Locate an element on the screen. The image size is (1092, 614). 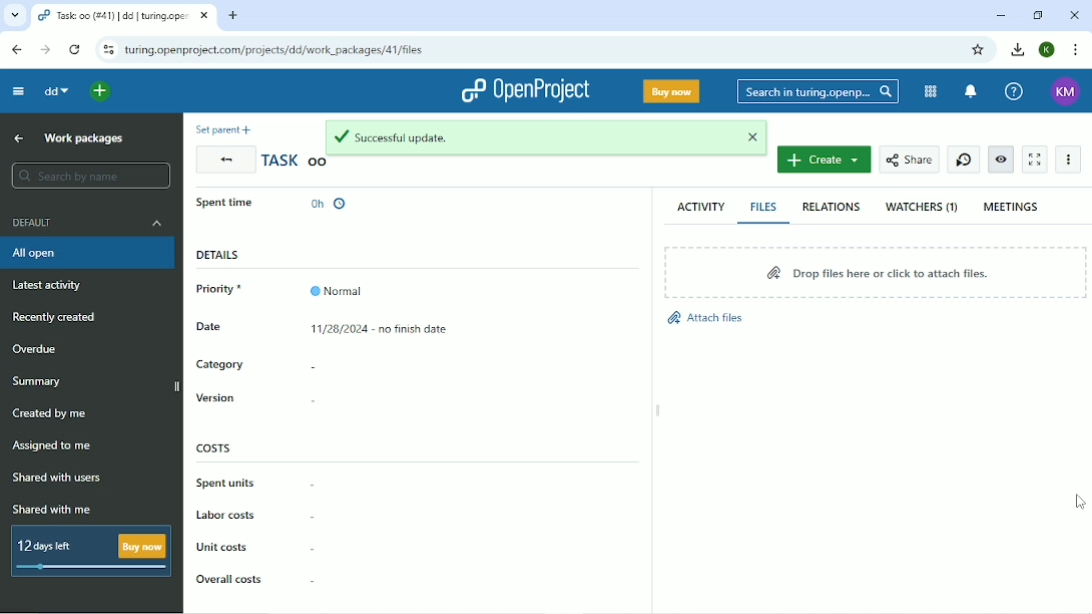
Task oo is located at coordinates (295, 163).